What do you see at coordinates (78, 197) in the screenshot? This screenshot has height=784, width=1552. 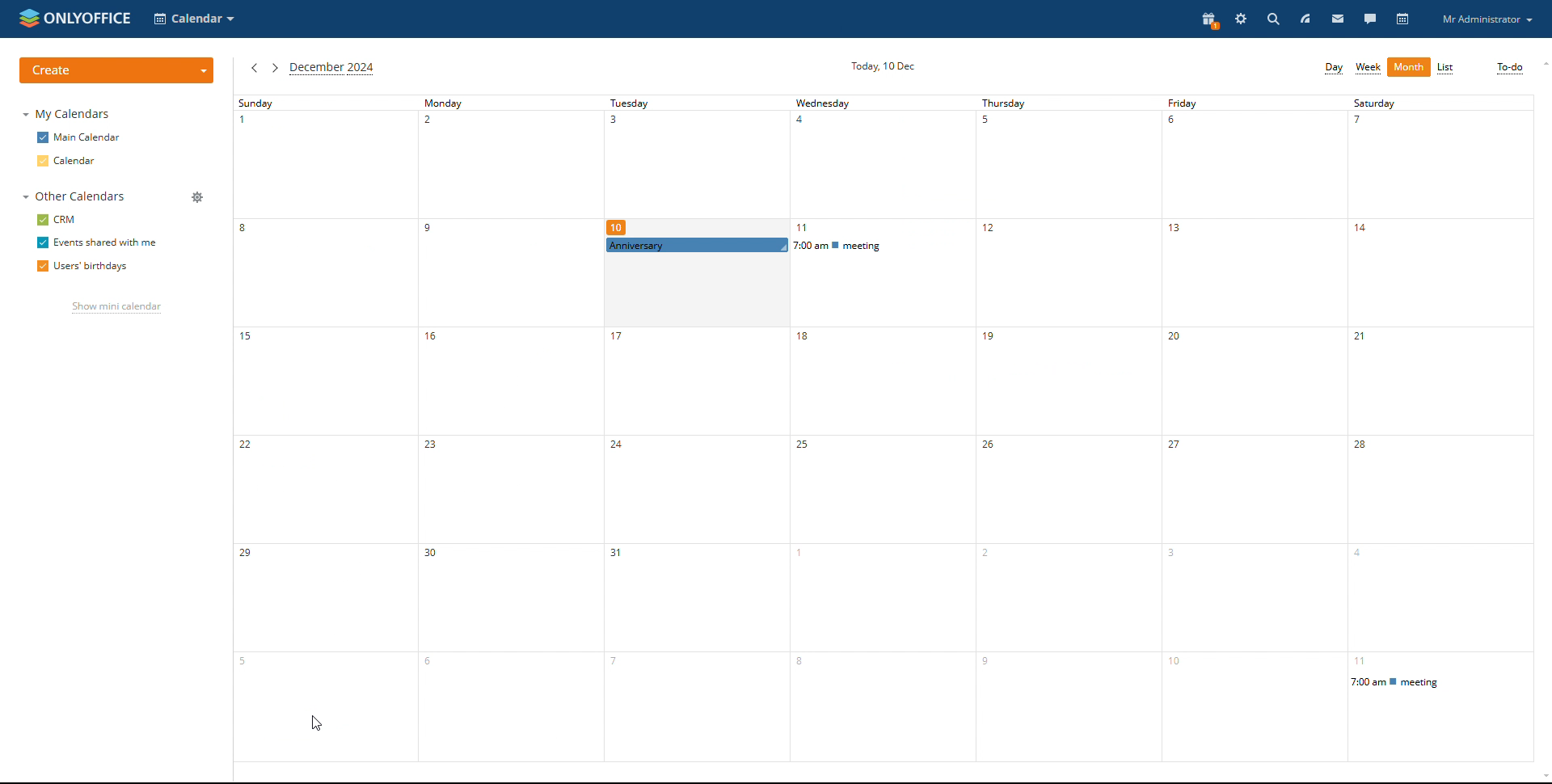 I see `other calendars` at bounding box center [78, 197].